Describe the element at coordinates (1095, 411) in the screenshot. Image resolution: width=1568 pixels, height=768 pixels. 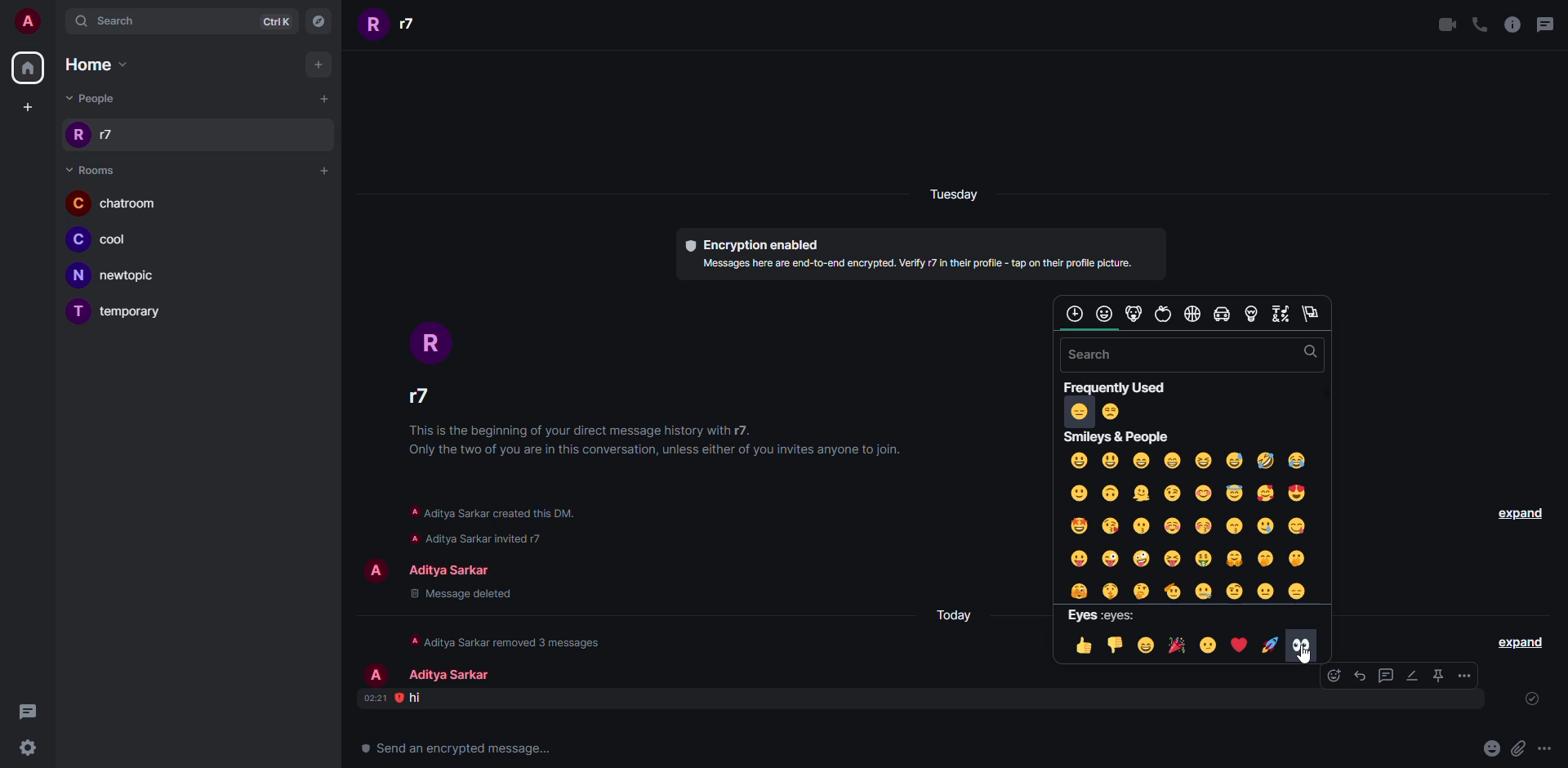
I see `smilley` at that location.